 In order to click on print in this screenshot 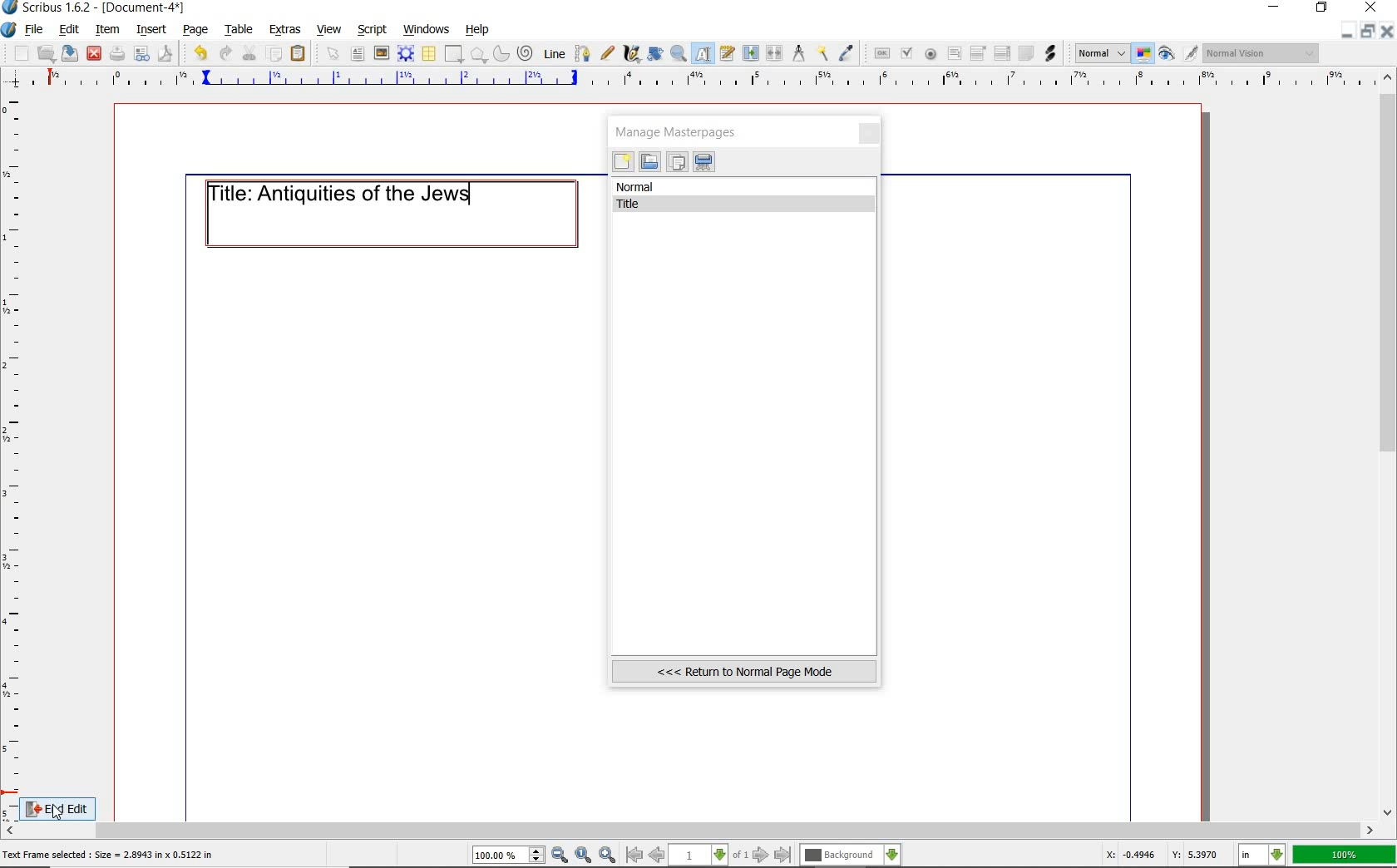, I will do `click(117, 53)`.